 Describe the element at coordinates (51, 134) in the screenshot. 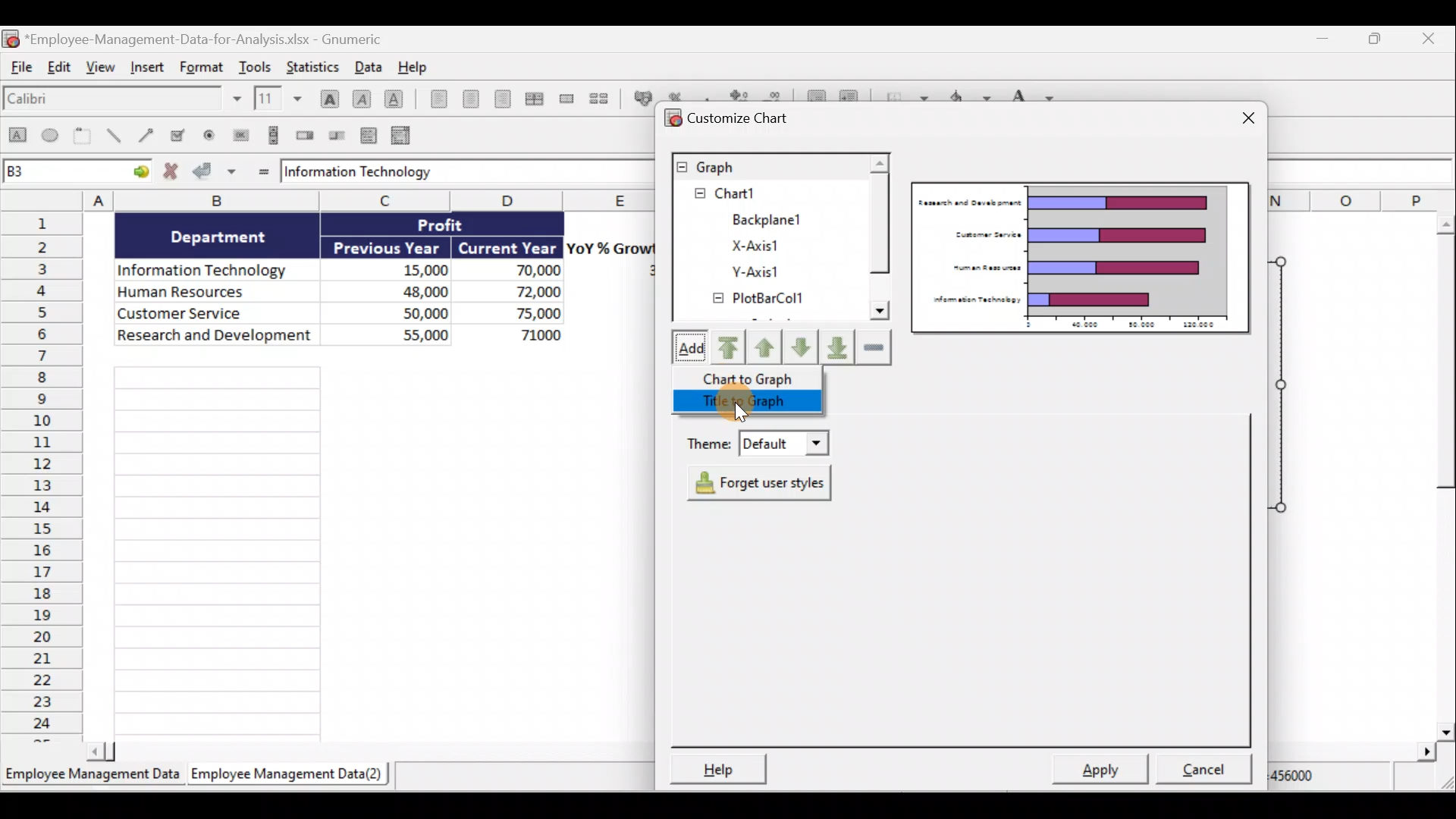

I see `Create an ellipse object` at that location.